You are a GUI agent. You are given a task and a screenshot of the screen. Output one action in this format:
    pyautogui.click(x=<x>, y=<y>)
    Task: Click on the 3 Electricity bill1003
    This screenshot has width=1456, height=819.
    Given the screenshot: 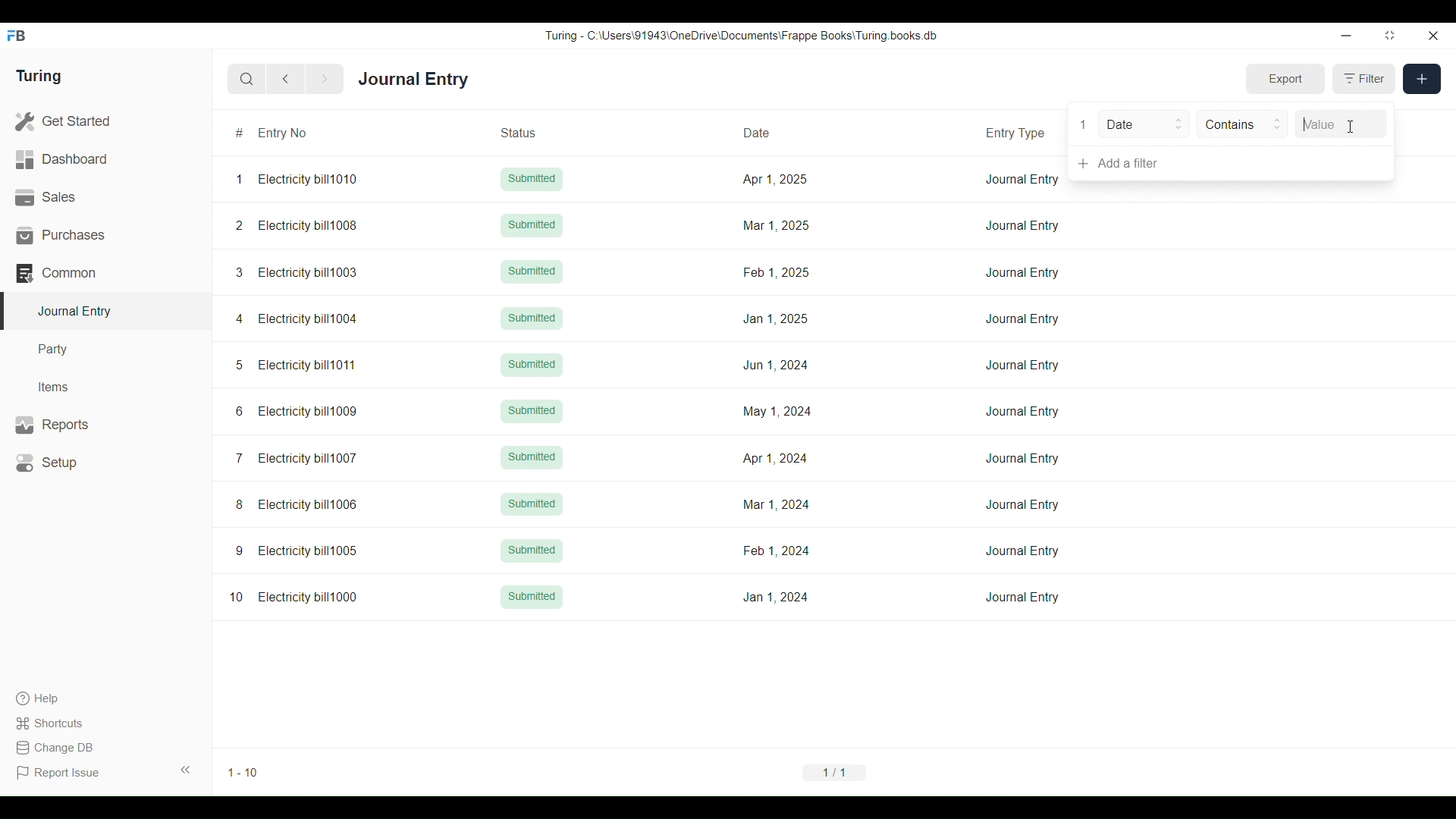 What is the action you would take?
    pyautogui.click(x=297, y=272)
    